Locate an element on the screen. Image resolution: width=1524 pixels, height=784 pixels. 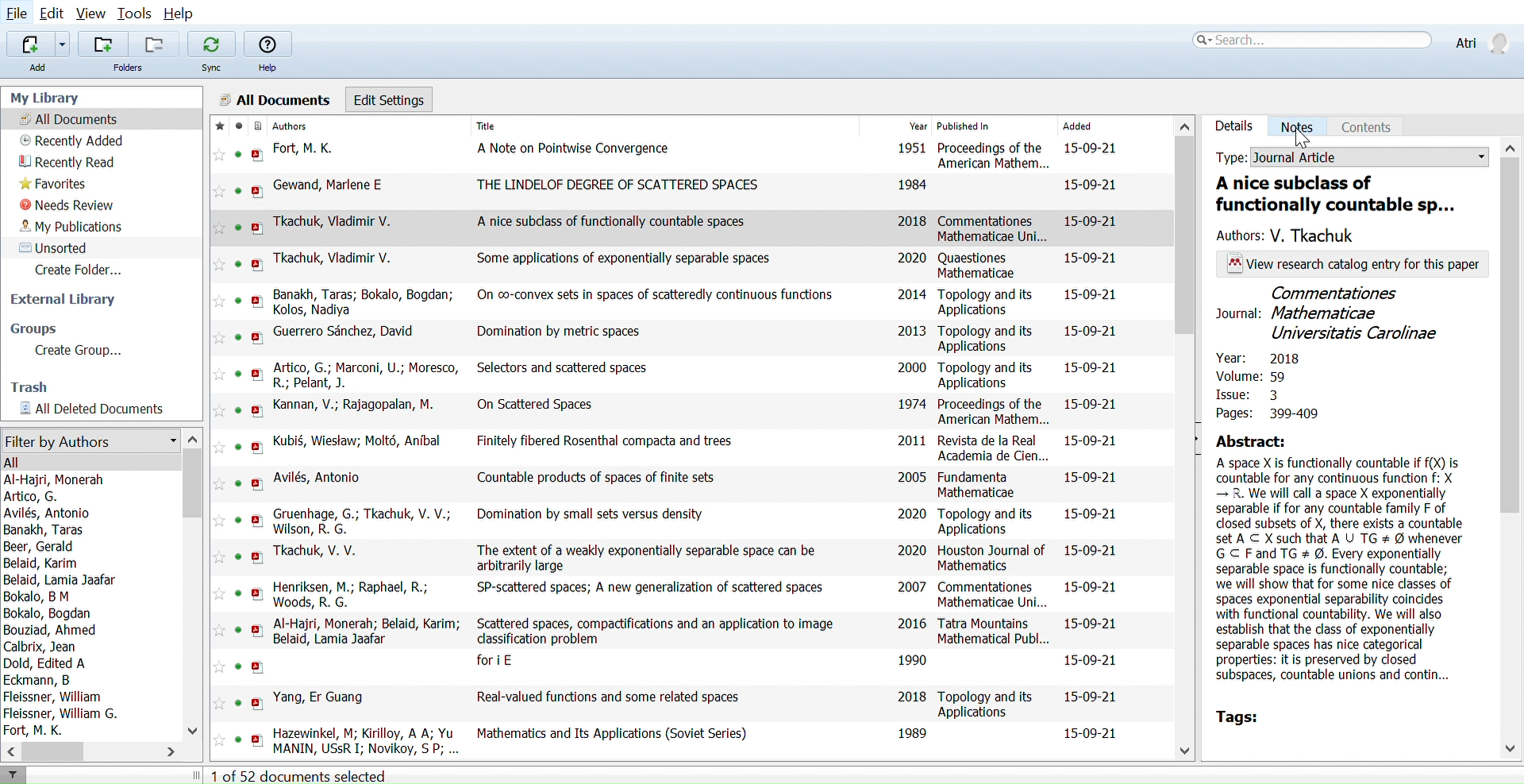
Tkachuk, Vladimir V. is located at coordinates (336, 222).